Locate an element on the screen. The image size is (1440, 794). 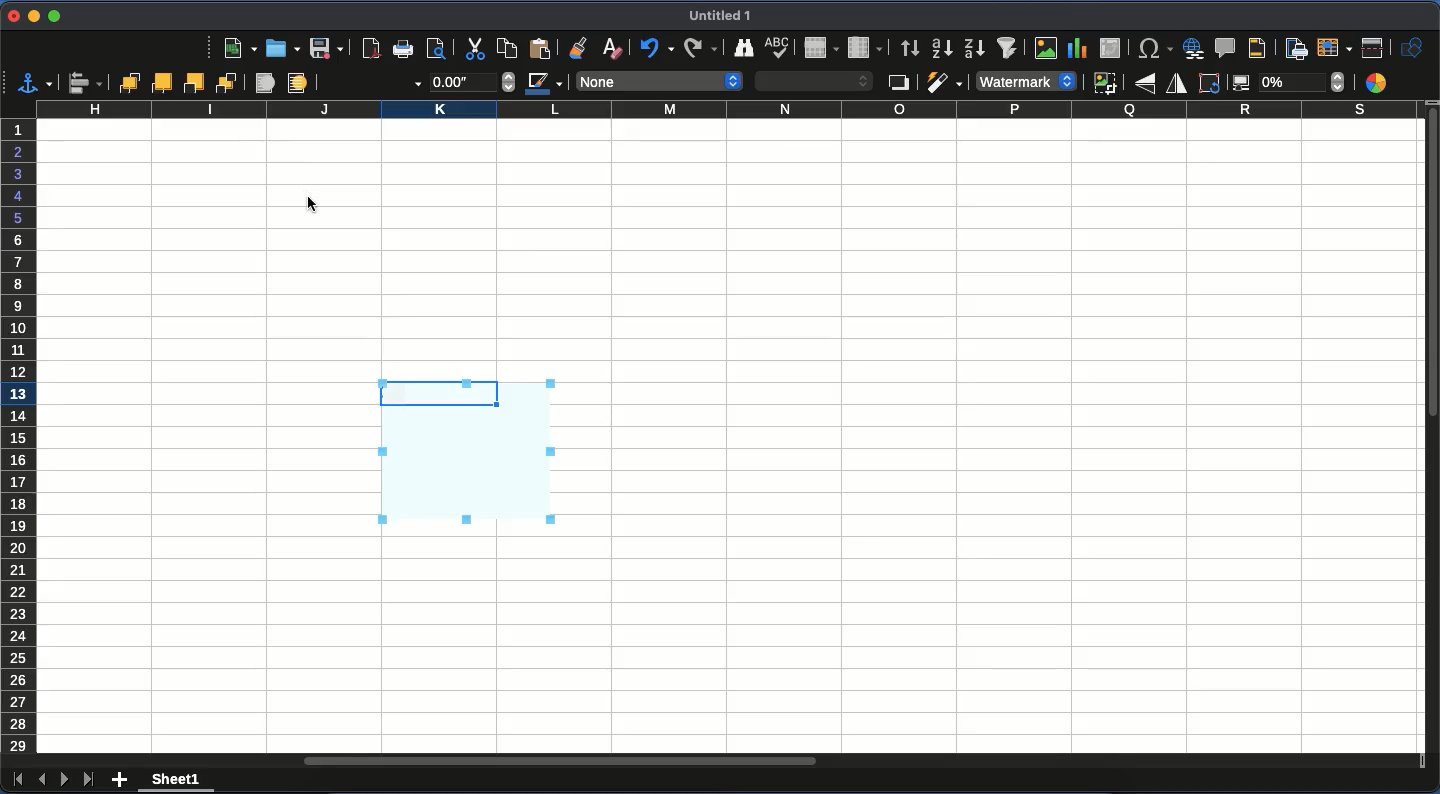
horizontal scroll bar is located at coordinates (561, 761).